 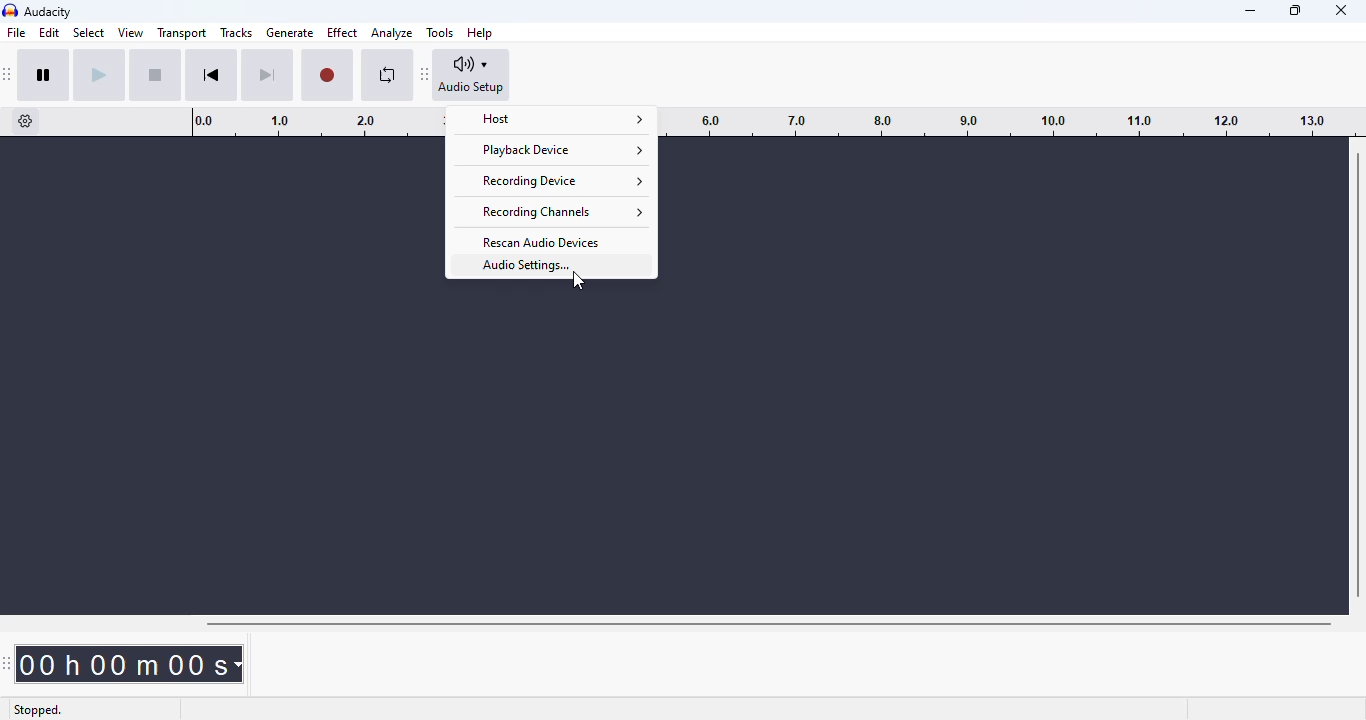 I want to click on audacity audio setup toolbar, so click(x=425, y=73).